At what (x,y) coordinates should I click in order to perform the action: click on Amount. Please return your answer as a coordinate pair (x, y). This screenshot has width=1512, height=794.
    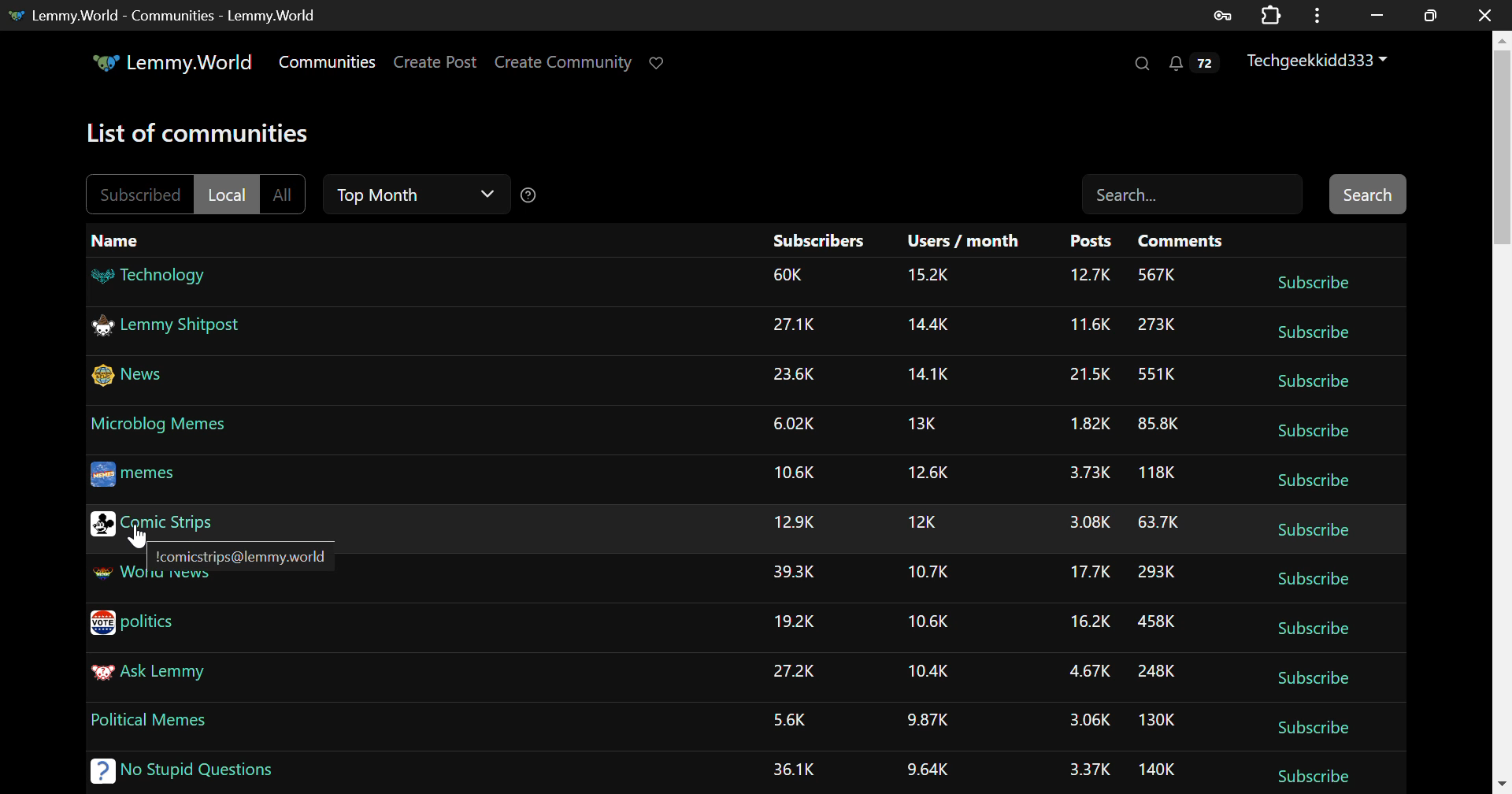
    Looking at the image, I should click on (928, 570).